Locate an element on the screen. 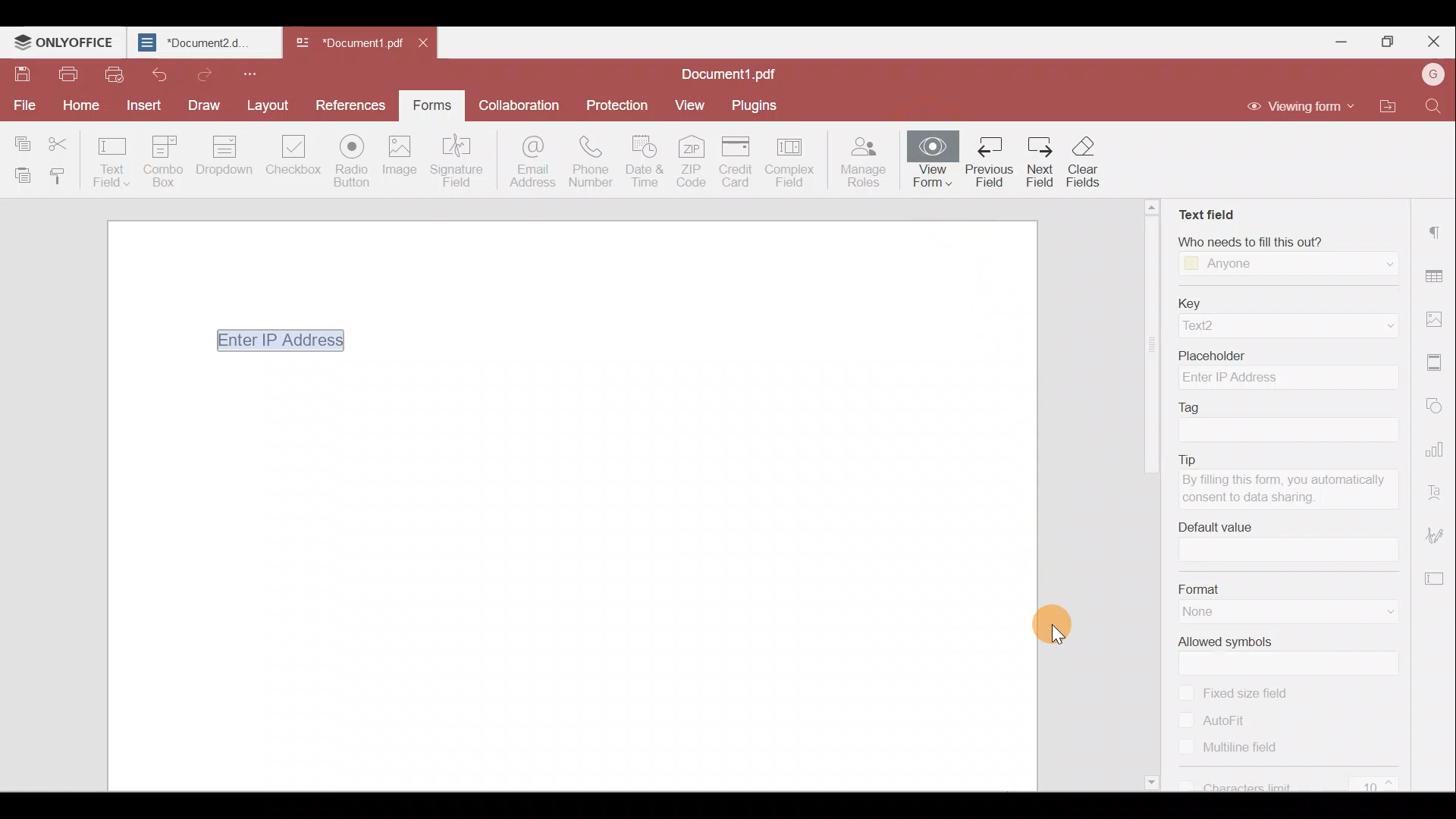 This screenshot has height=819, width=1456. Minimize is located at coordinates (1343, 40).